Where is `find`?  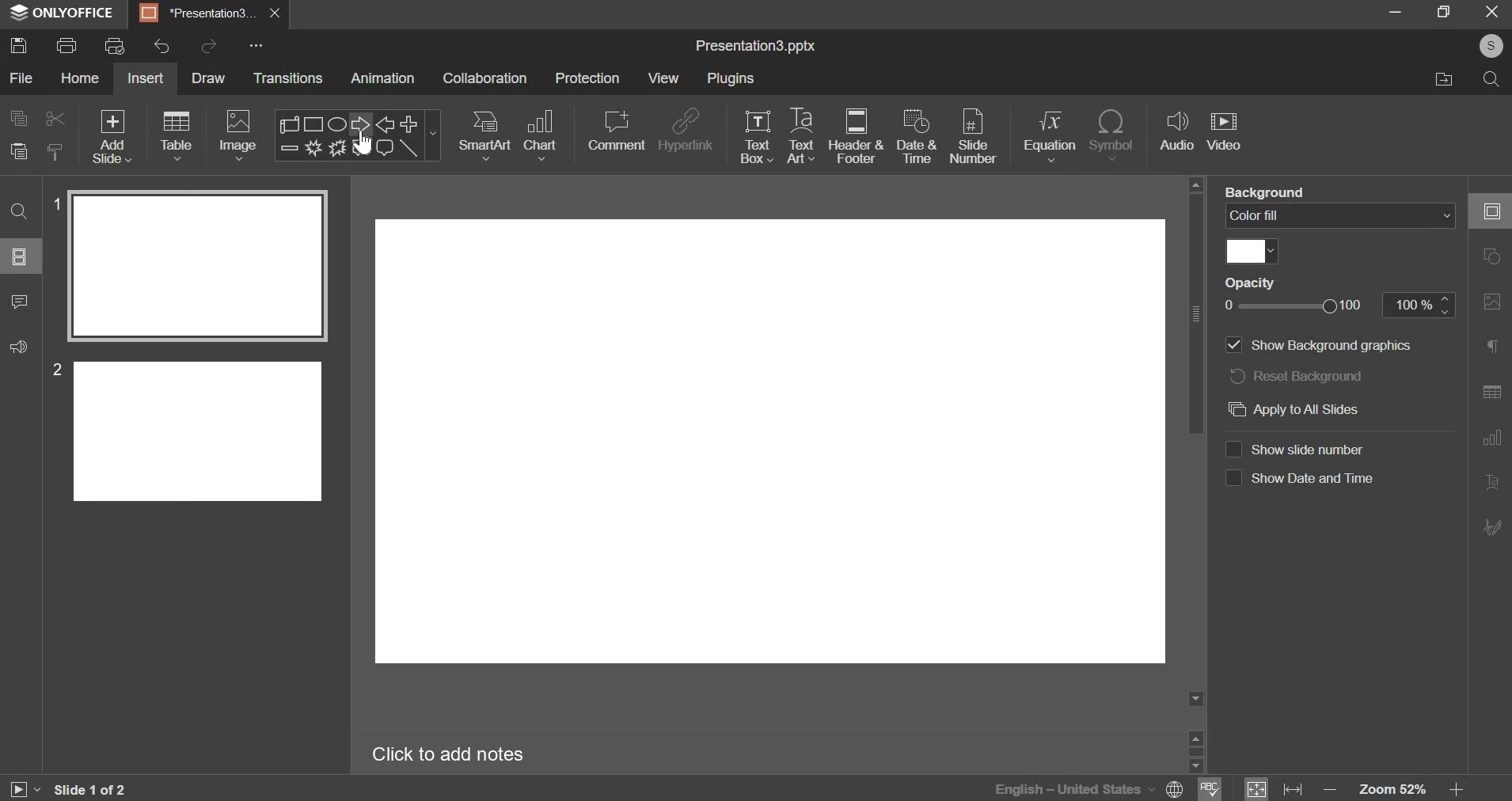 find is located at coordinates (19, 212).